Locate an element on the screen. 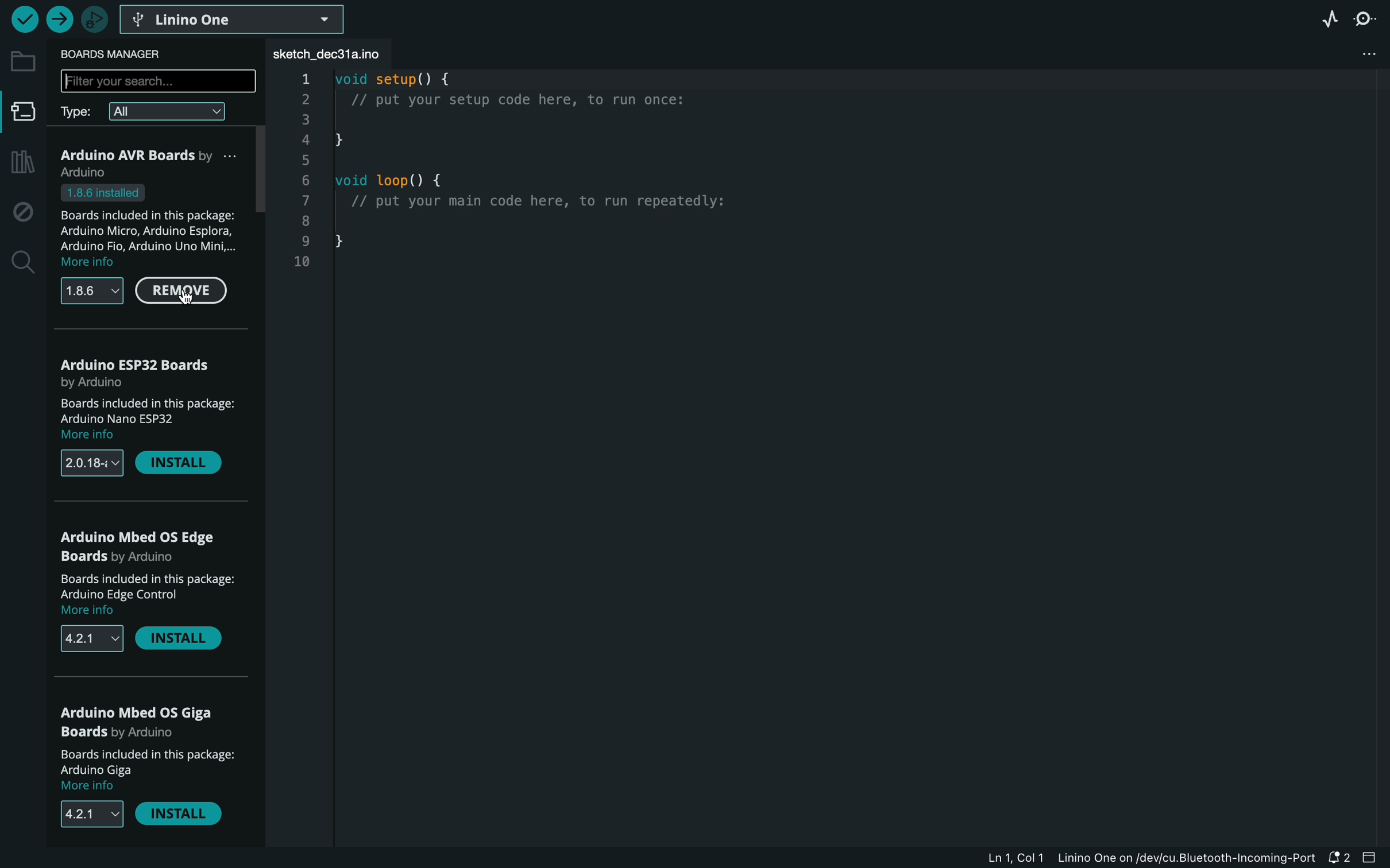 Image resolution: width=1390 pixels, height=868 pixels. folder is located at coordinates (25, 63).